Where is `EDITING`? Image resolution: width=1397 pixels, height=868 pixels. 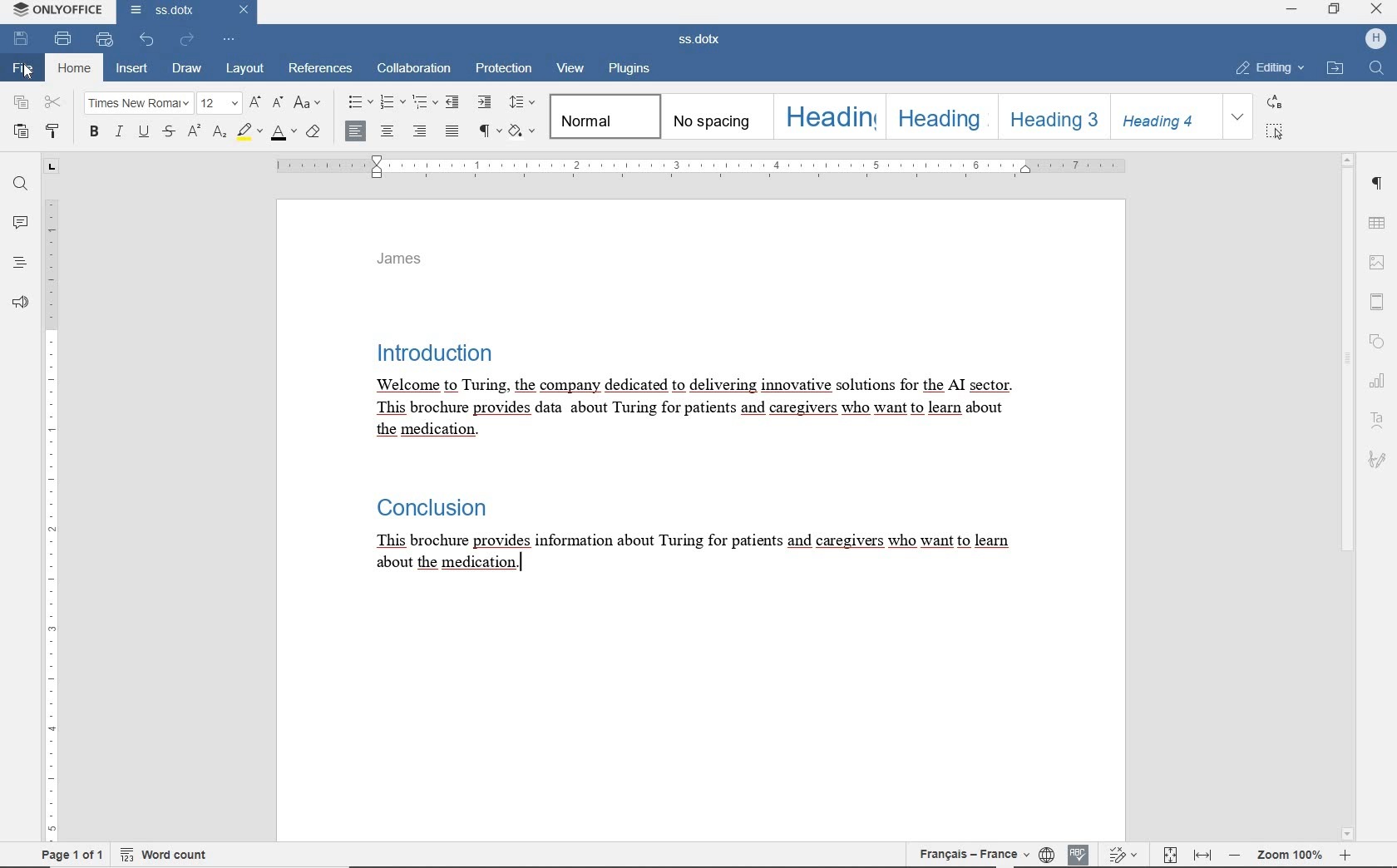
EDITING is located at coordinates (1268, 66).